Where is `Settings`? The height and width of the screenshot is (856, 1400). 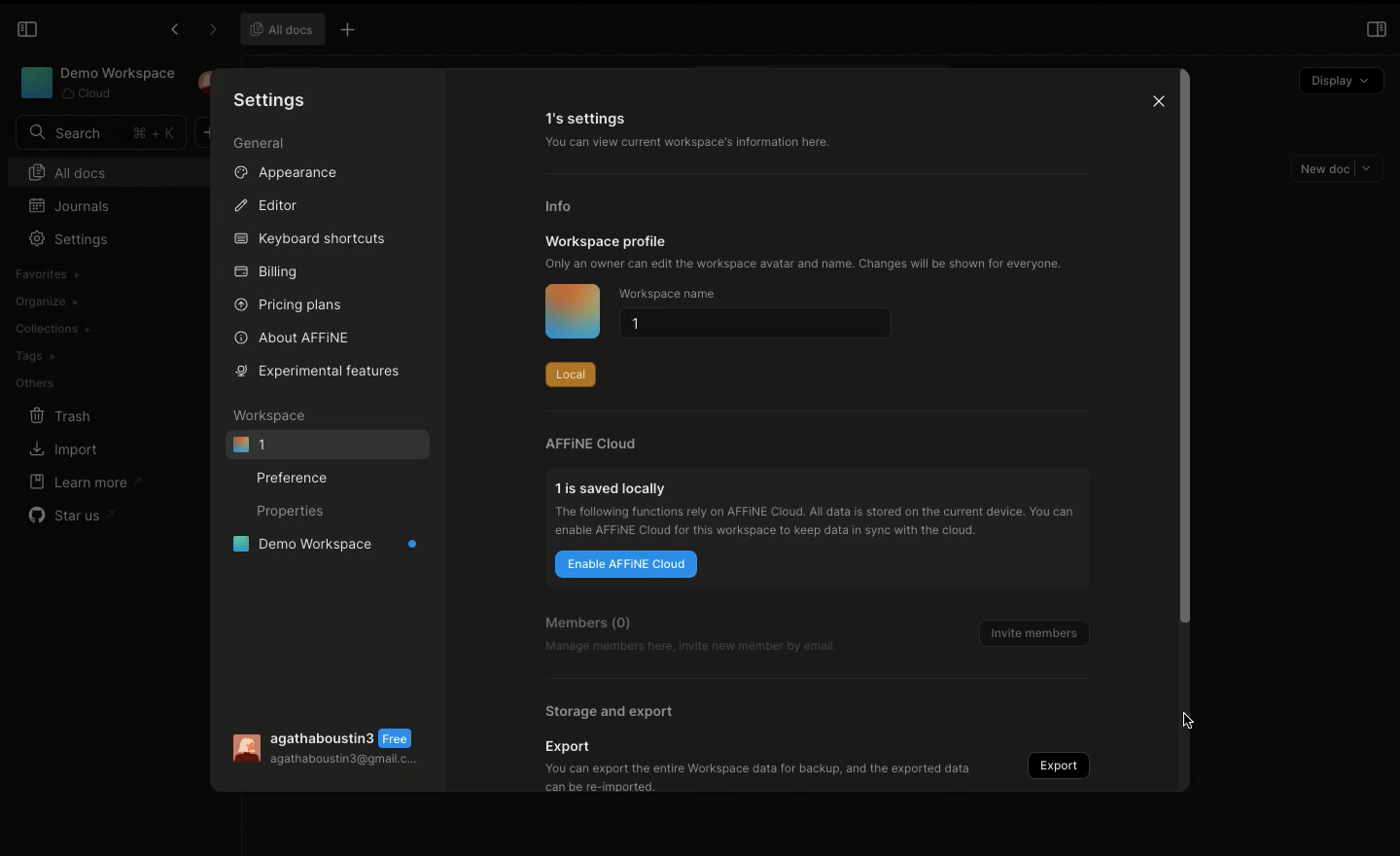 Settings is located at coordinates (270, 99).